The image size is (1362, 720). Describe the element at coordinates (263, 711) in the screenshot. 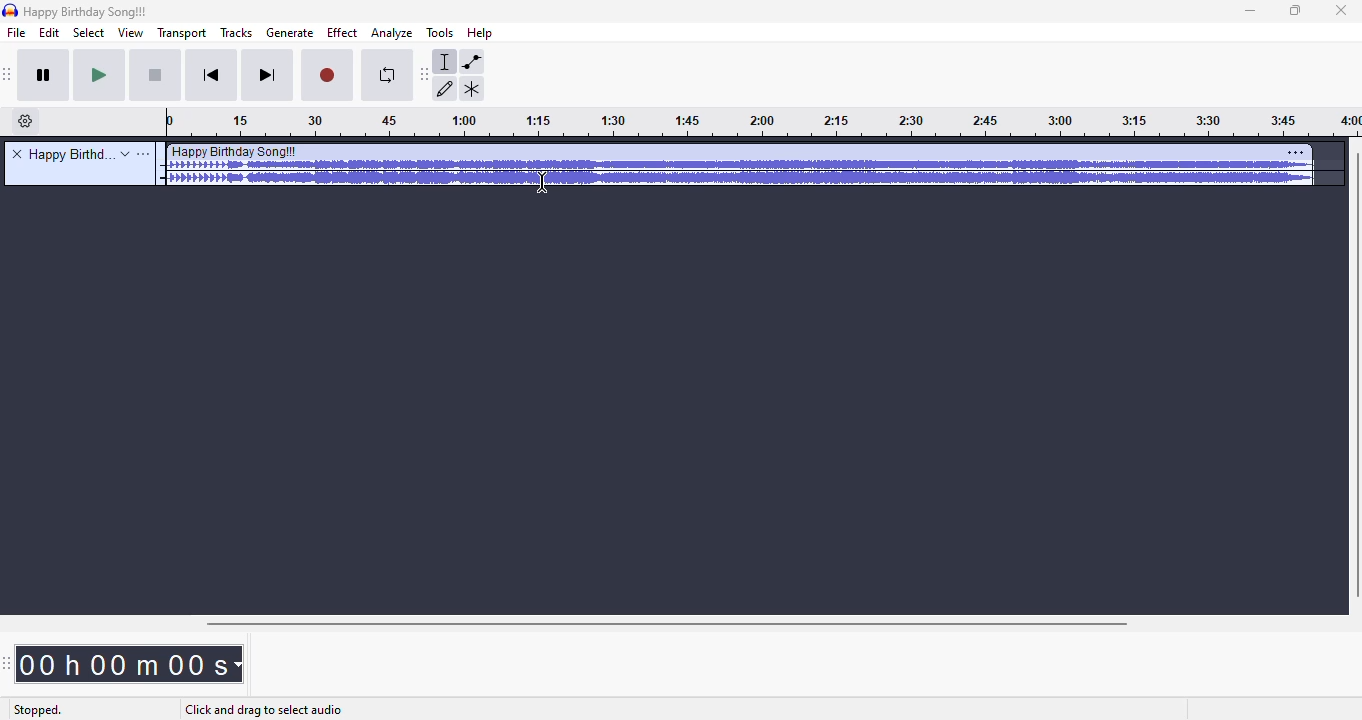

I see `click and drag to select audio` at that location.